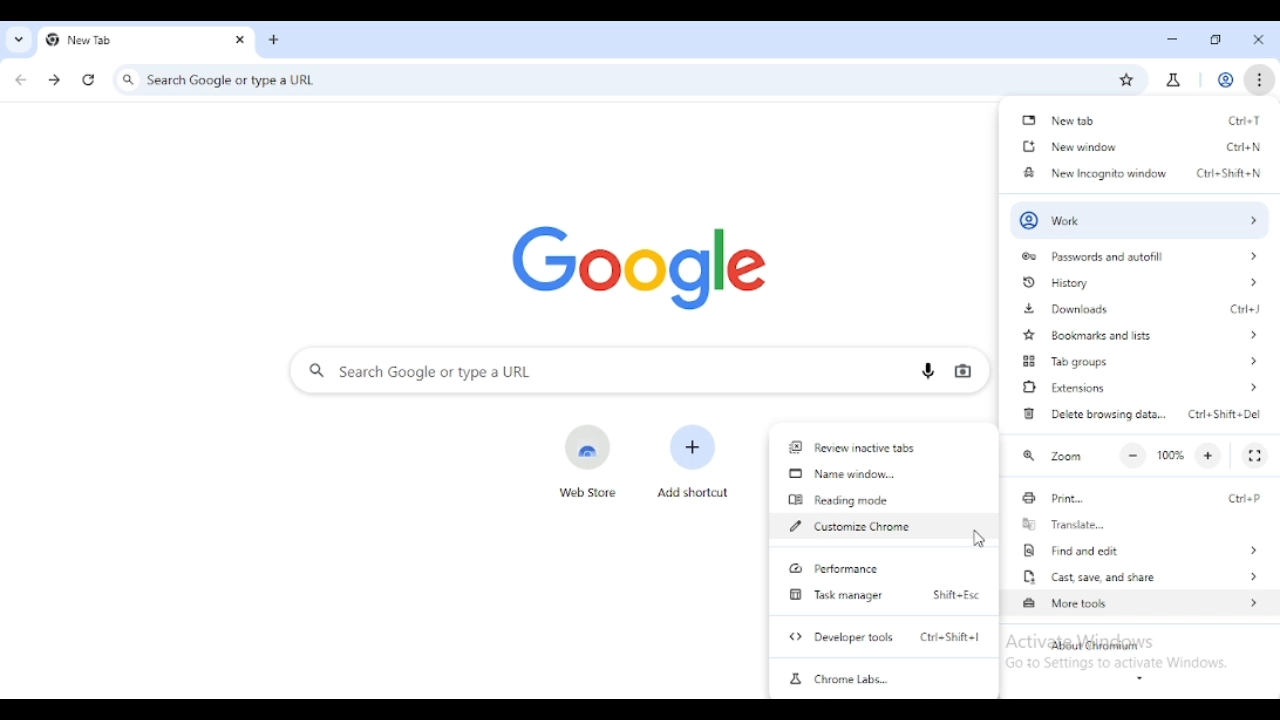 The image size is (1280, 720). What do you see at coordinates (54, 80) in the screenshot?
I see `click to go forward` at bounding box center [54, 80].